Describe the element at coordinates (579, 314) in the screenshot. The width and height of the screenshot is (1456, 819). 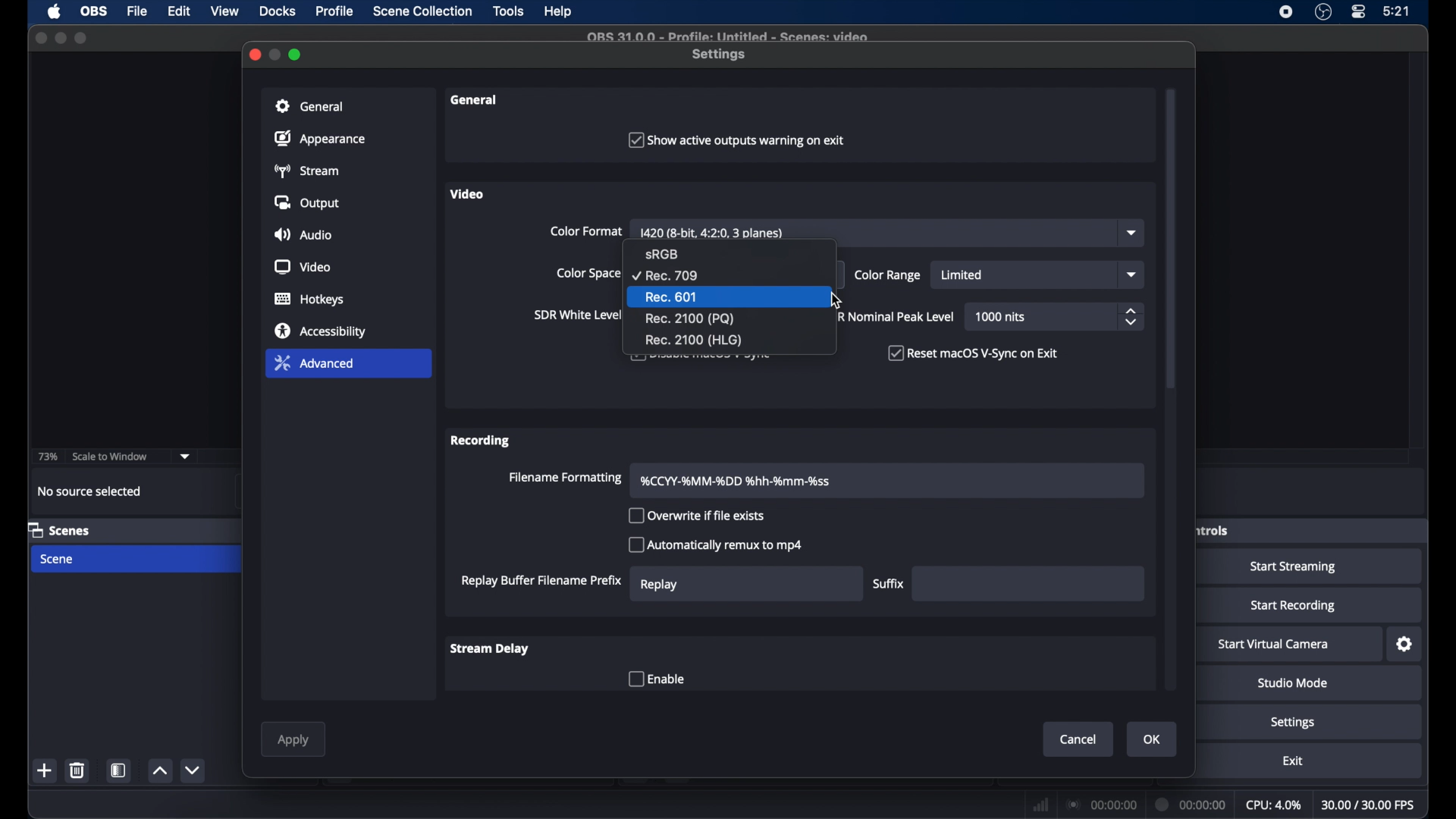
I see `sir white level` at that location.